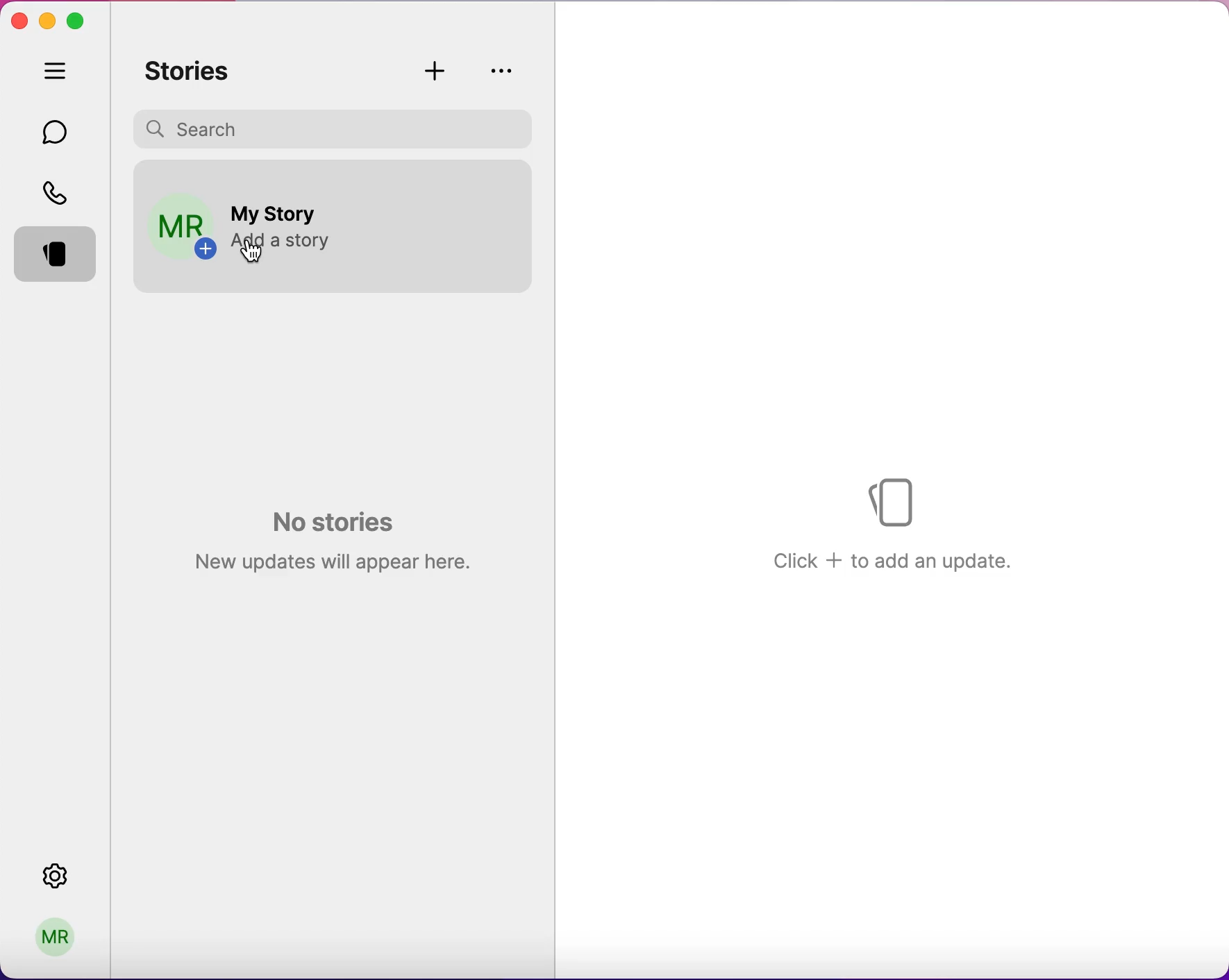 This screenshot has height=980, width=1229. I want to click on add a story, so click(278, 239).